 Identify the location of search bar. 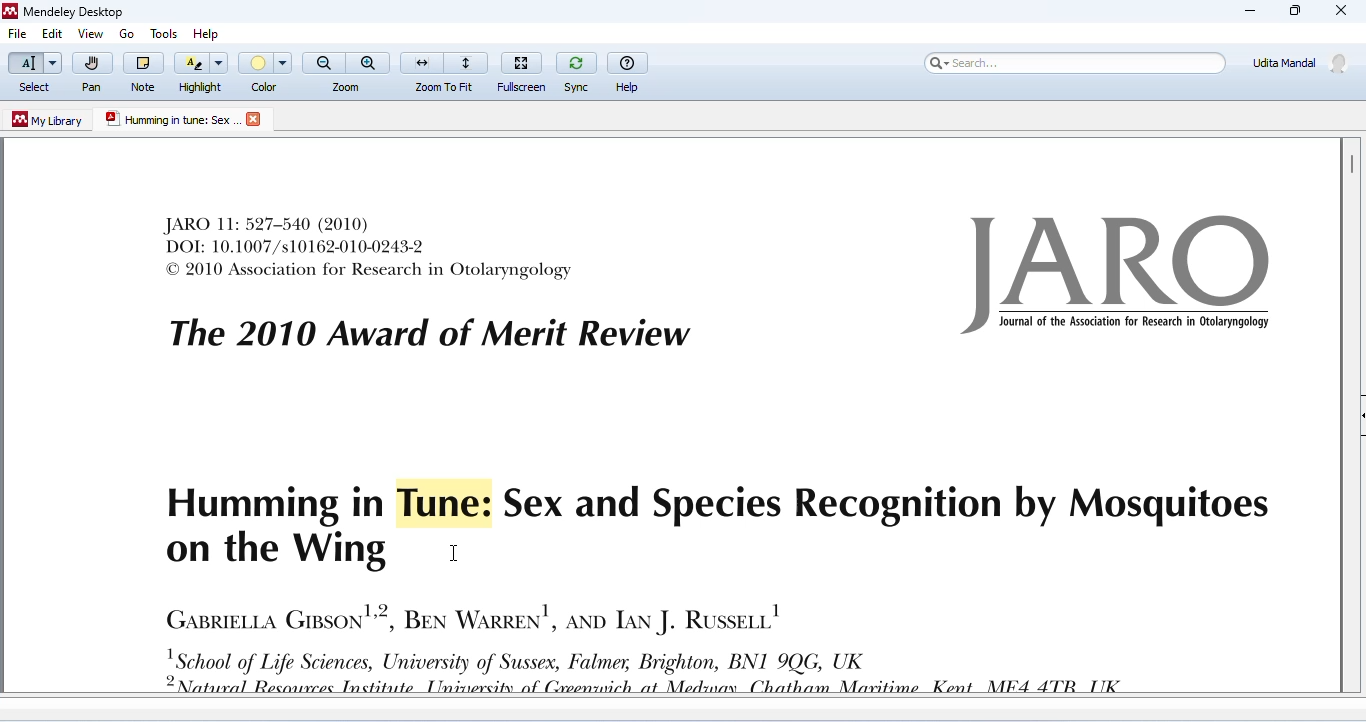
(1072, 62).